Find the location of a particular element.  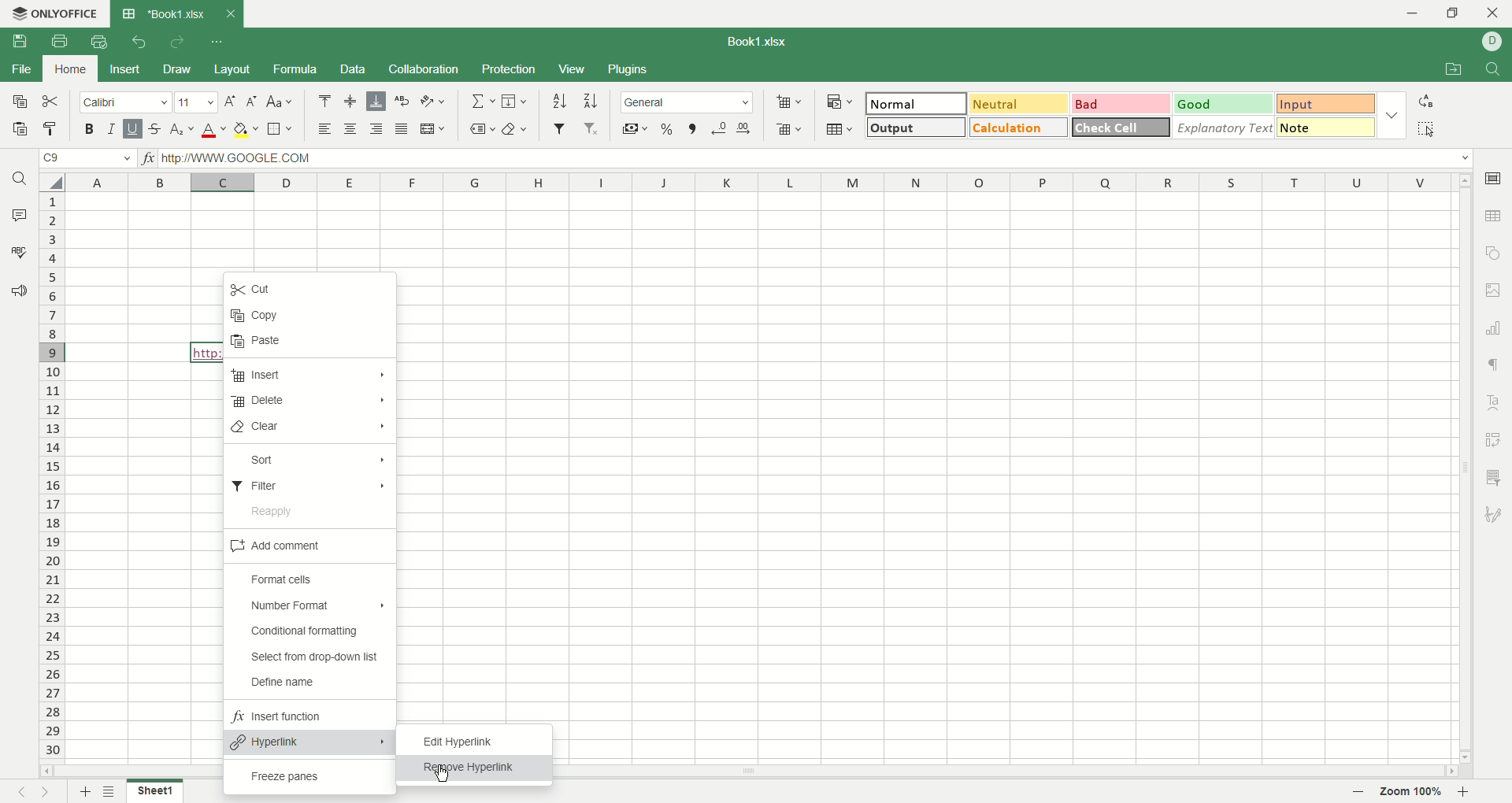

save is located at coordinates (18, 42).